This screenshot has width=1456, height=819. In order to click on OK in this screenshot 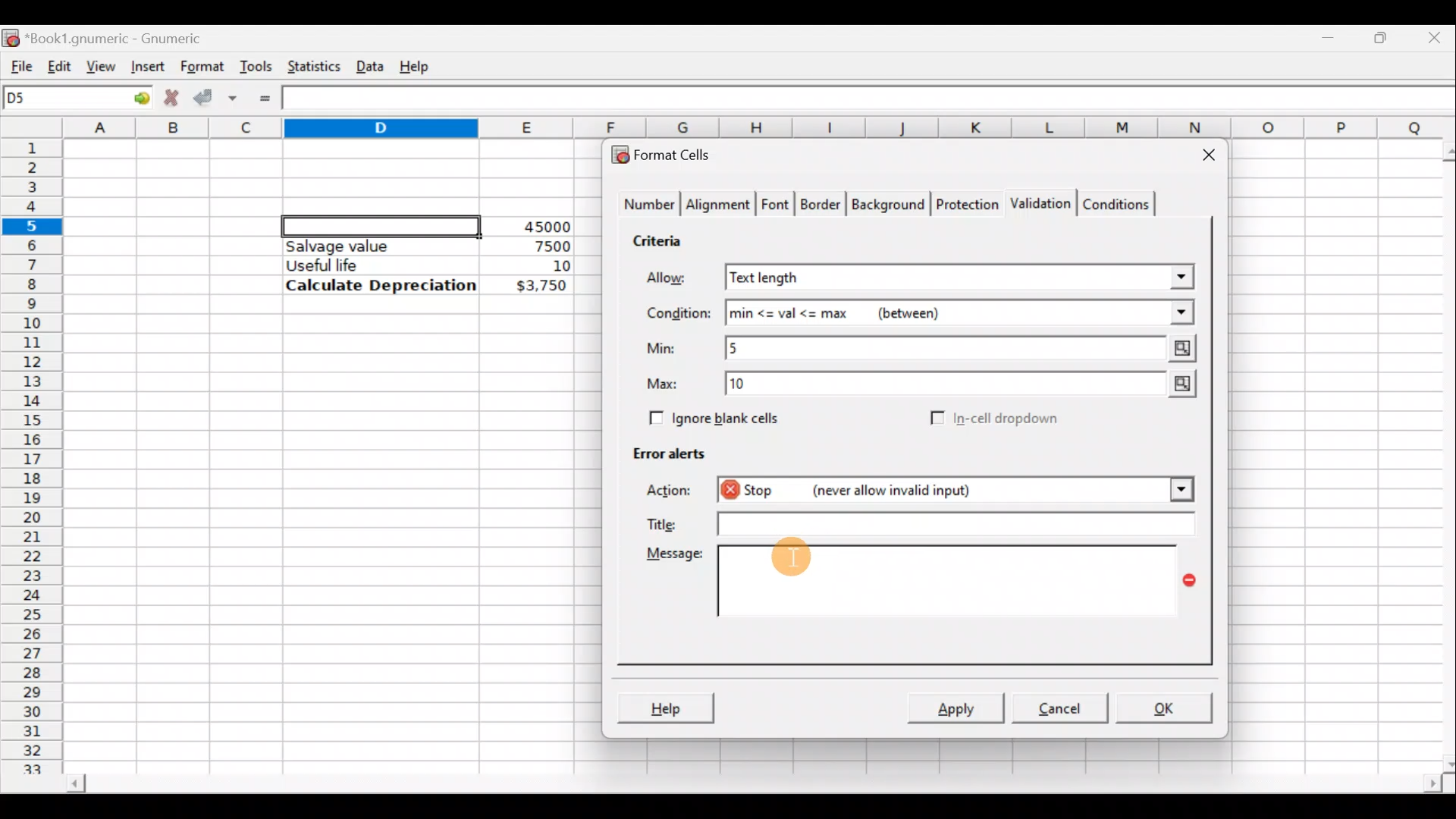, I will do `click(1162, 708)`.